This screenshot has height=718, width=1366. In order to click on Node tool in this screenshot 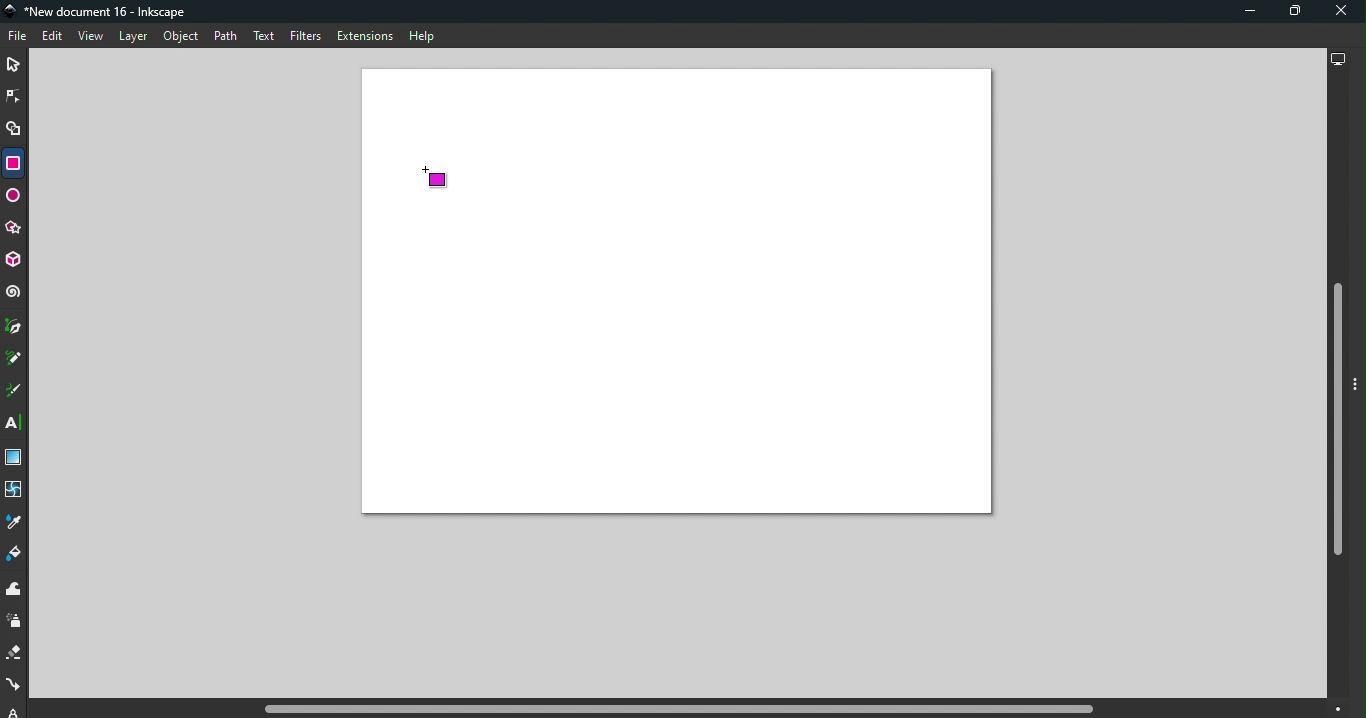, I will do `click(14, 95)`.